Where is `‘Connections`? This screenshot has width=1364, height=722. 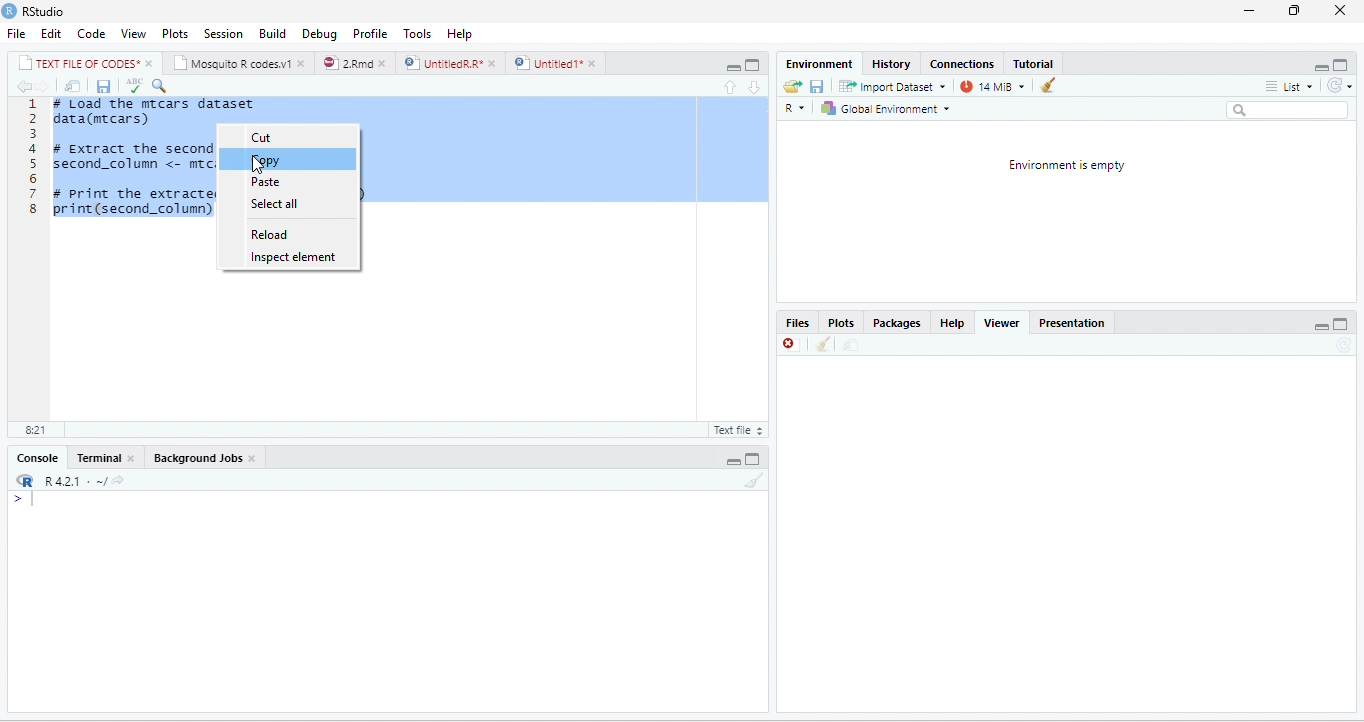
‘Connections is located at coordinates (961, 64).